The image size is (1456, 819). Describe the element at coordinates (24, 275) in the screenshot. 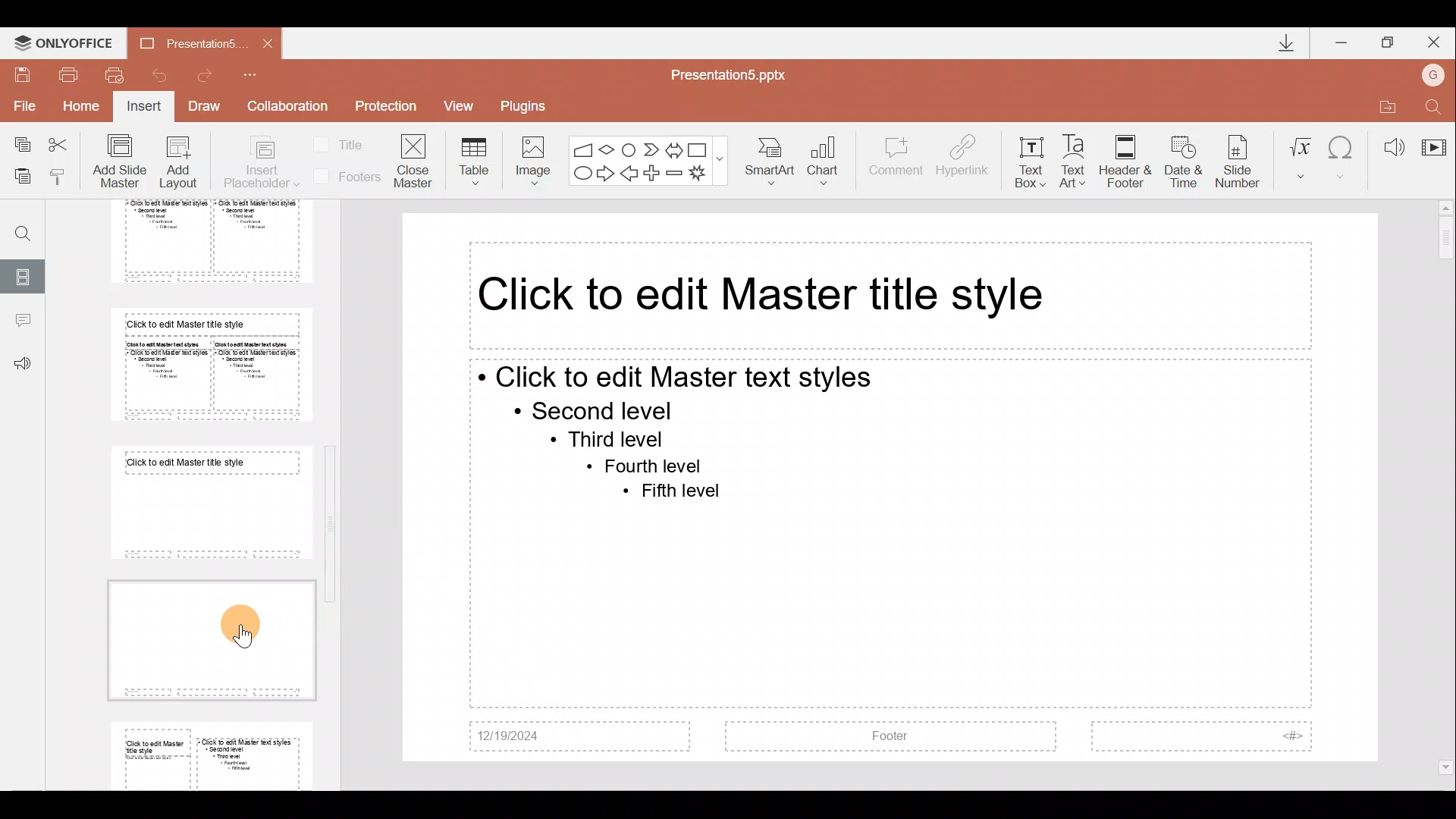

I see `Slides` at that location.